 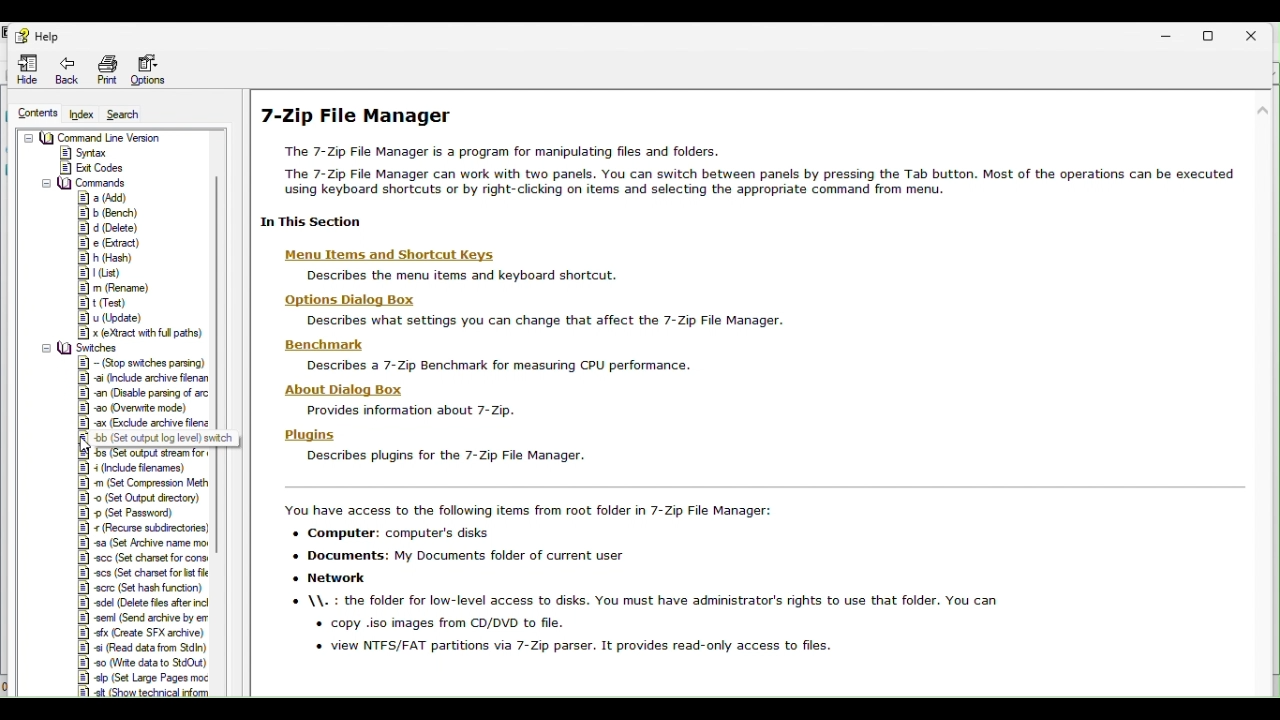 I want to click on IN, 00 (ot output log level) swech, so click(x=171, y=438).